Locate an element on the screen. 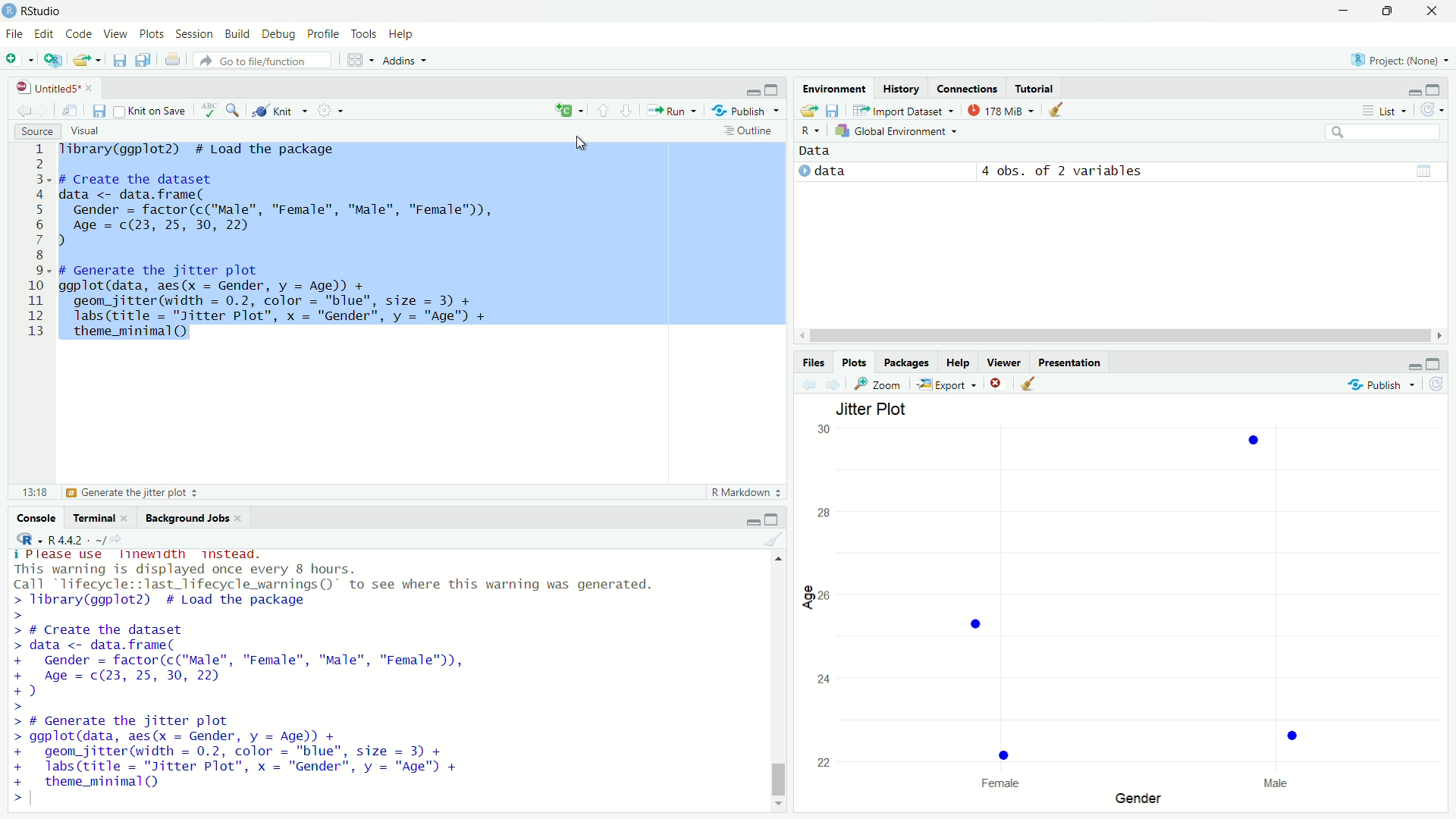 The height and width of the screenshot is (819, 1456). plots is located at coordinates (858, 362).